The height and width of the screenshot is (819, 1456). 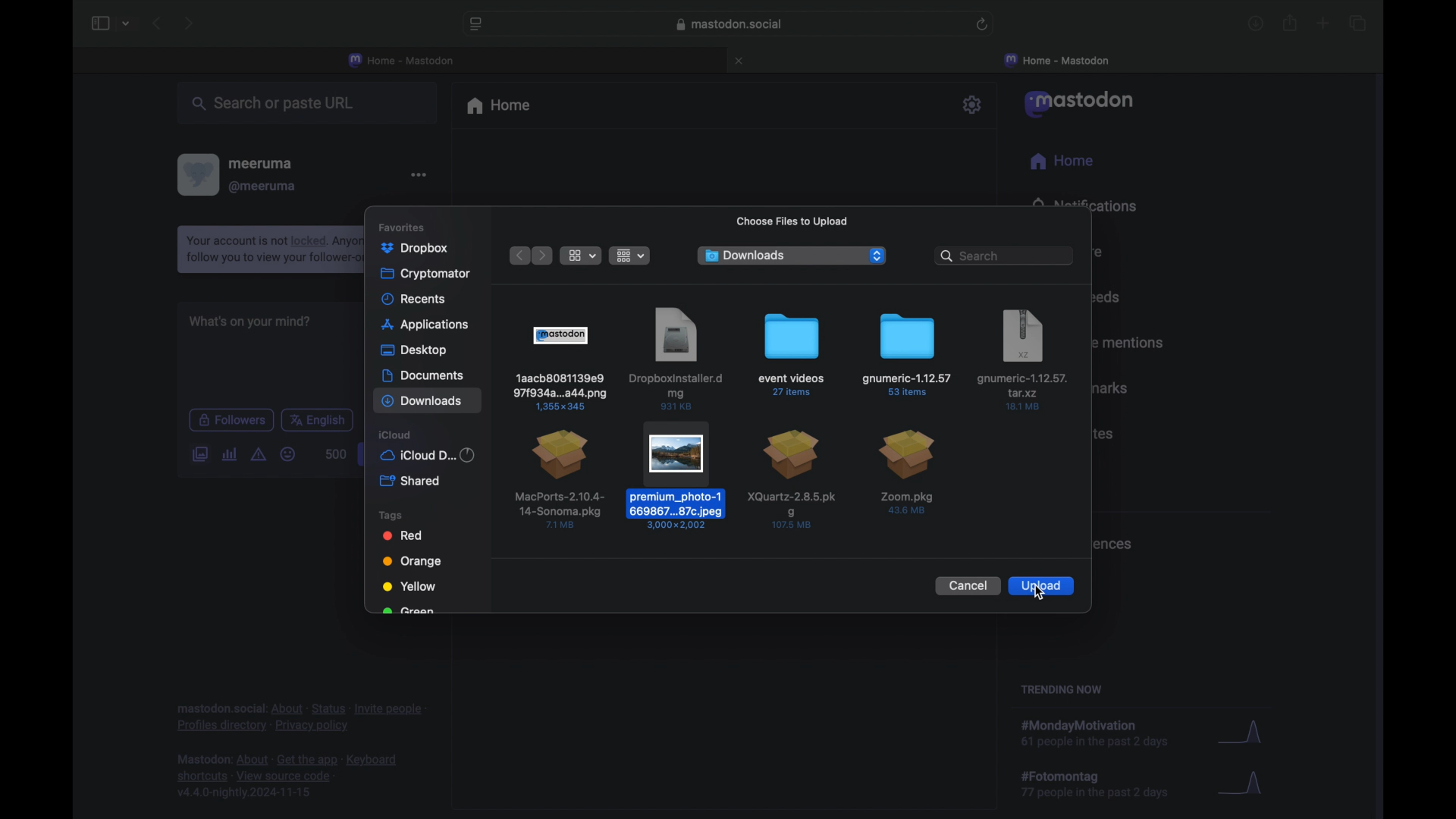 What do you see at coordinates (249, 322) in the screenshot?
I see `what's on your  mind` at bounding box center [249, 322].